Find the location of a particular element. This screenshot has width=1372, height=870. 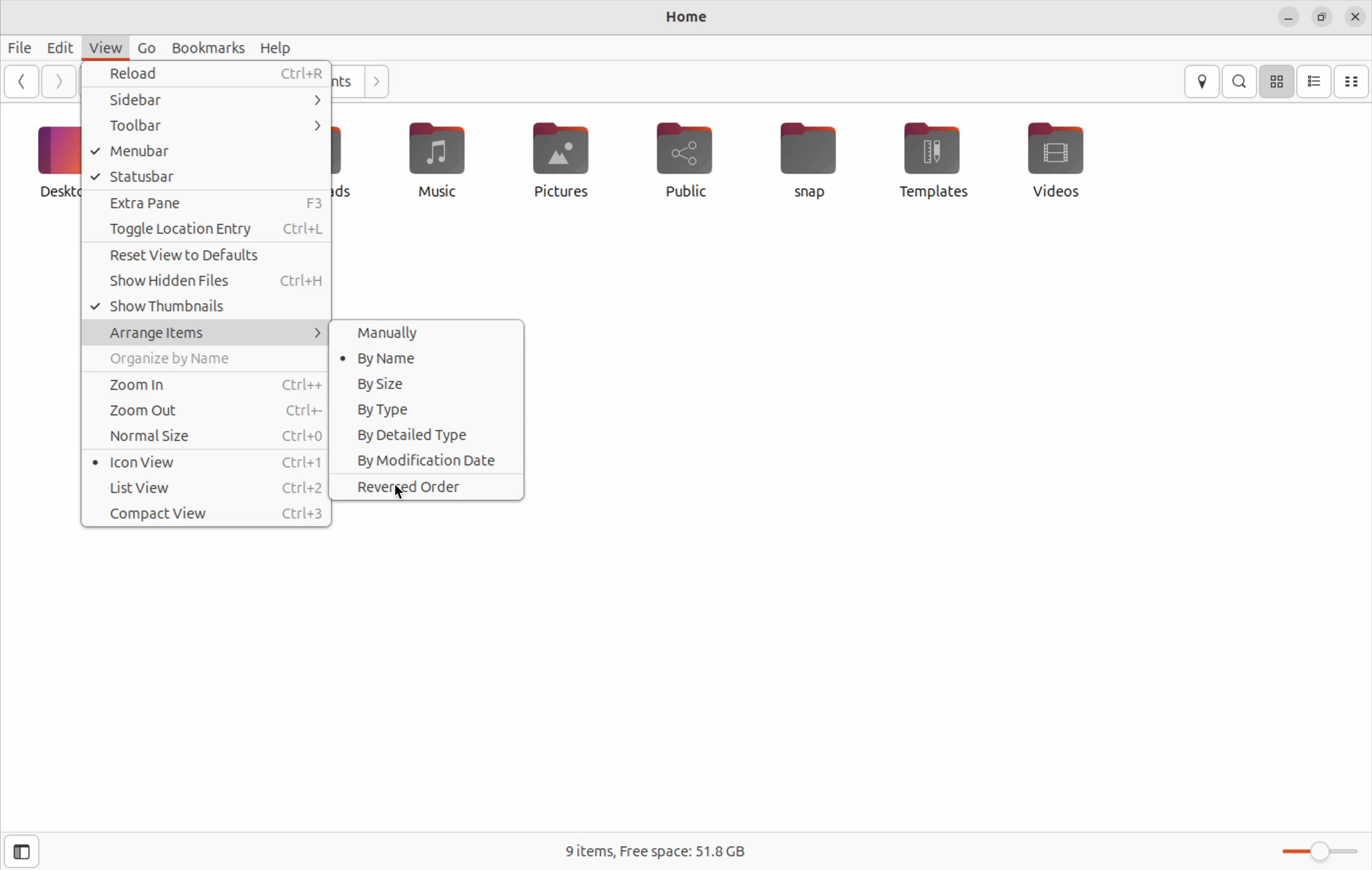

reload is located at coordinates (214, 74).